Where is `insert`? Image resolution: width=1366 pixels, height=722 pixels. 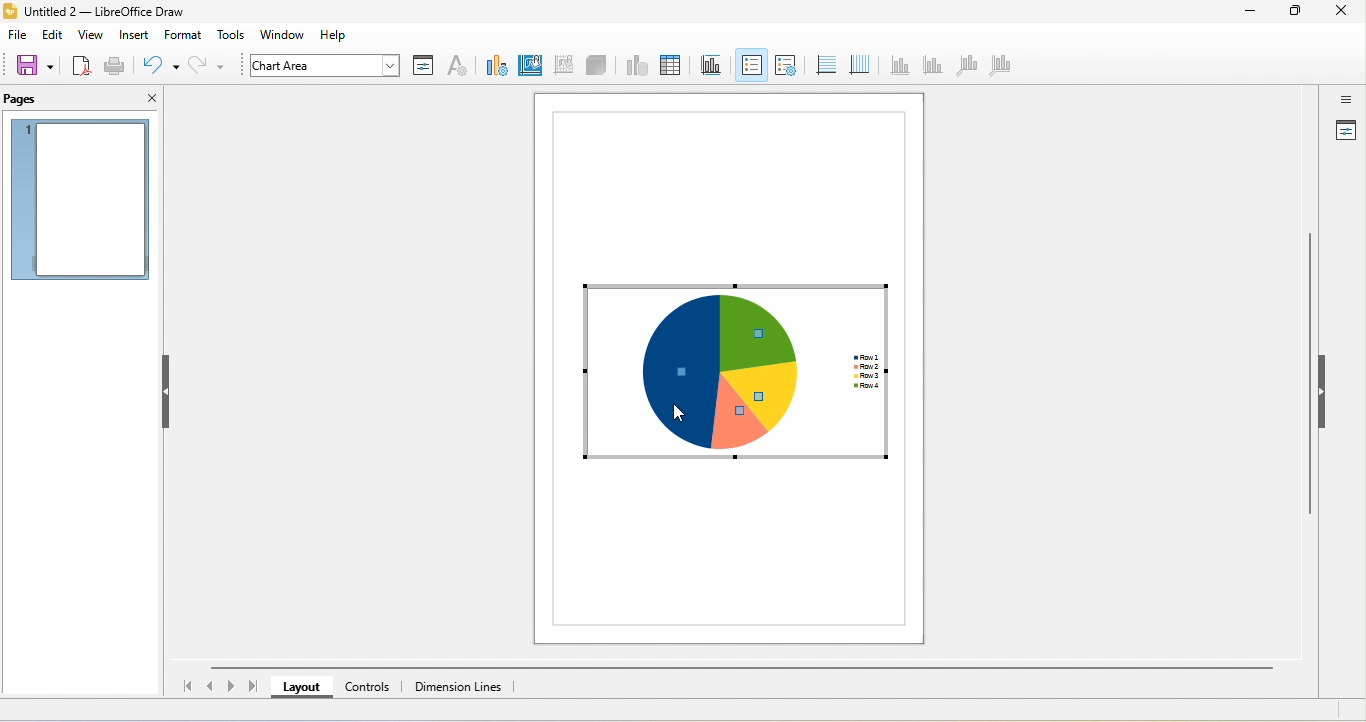 insert is located at coordinates (133, 35).